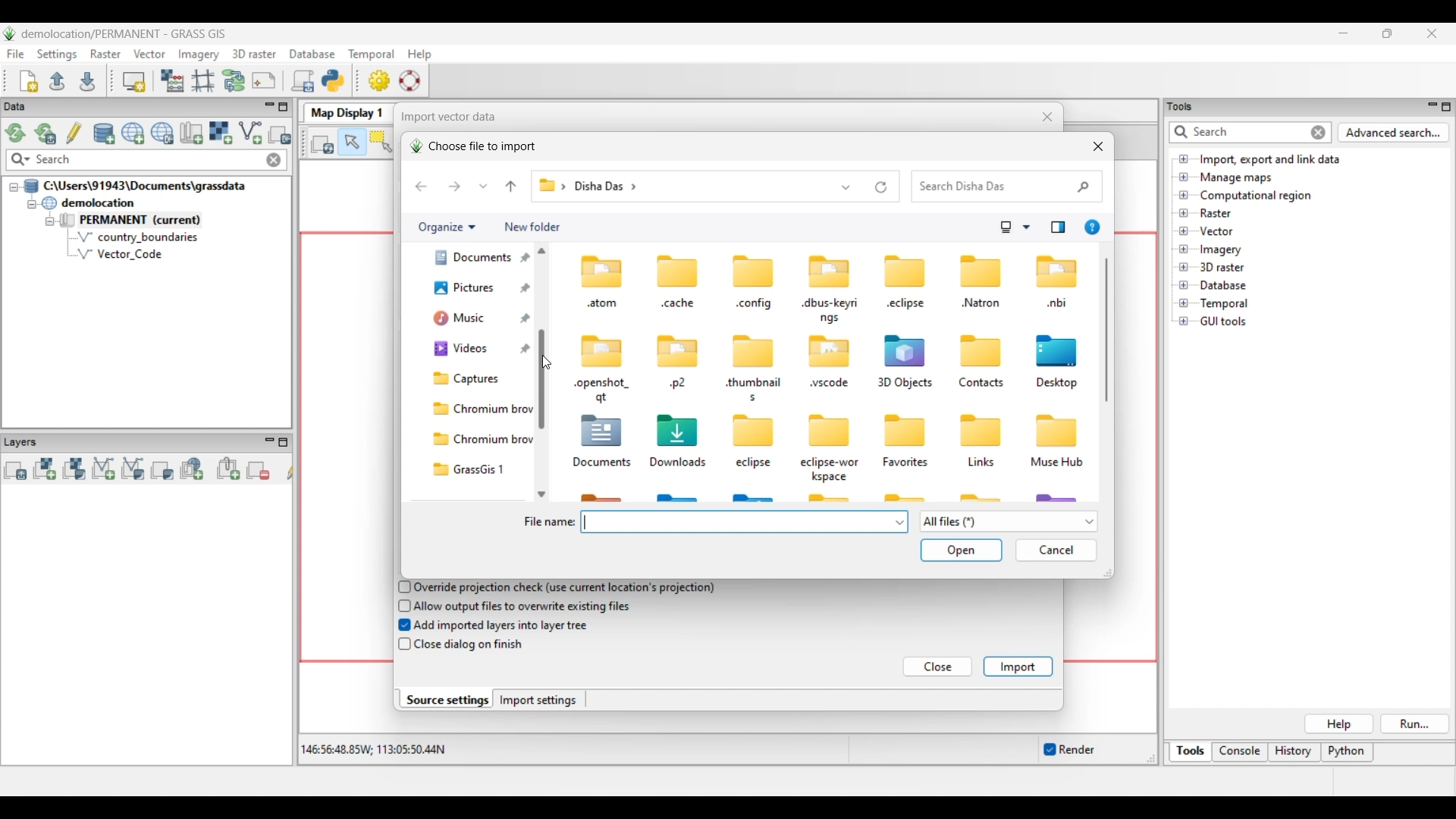 This screenshot has width=1456, height=819. What do you see at coordinates (830, 270) in the screenshot?
I see `icon` at bounding box center [830, 270].